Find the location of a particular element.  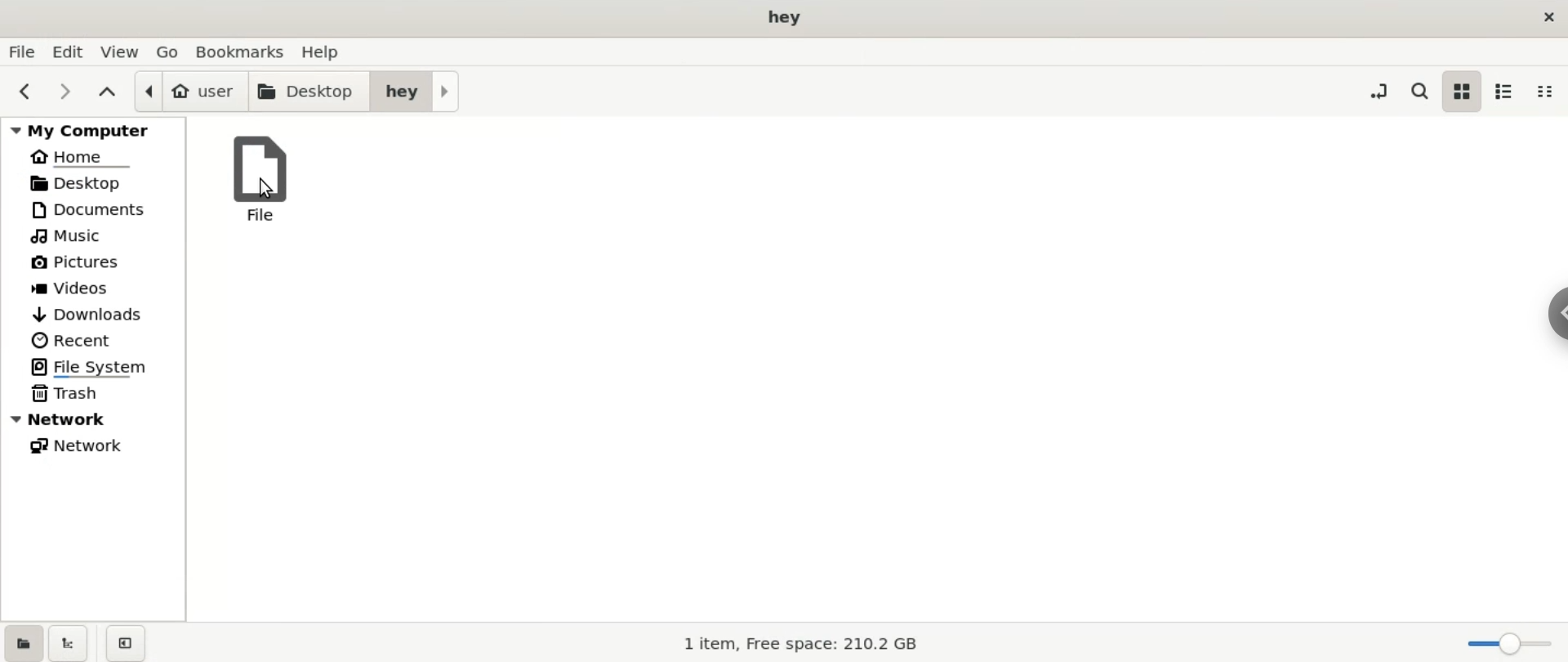

toggle location entry is located at coordinates (1373, 91).